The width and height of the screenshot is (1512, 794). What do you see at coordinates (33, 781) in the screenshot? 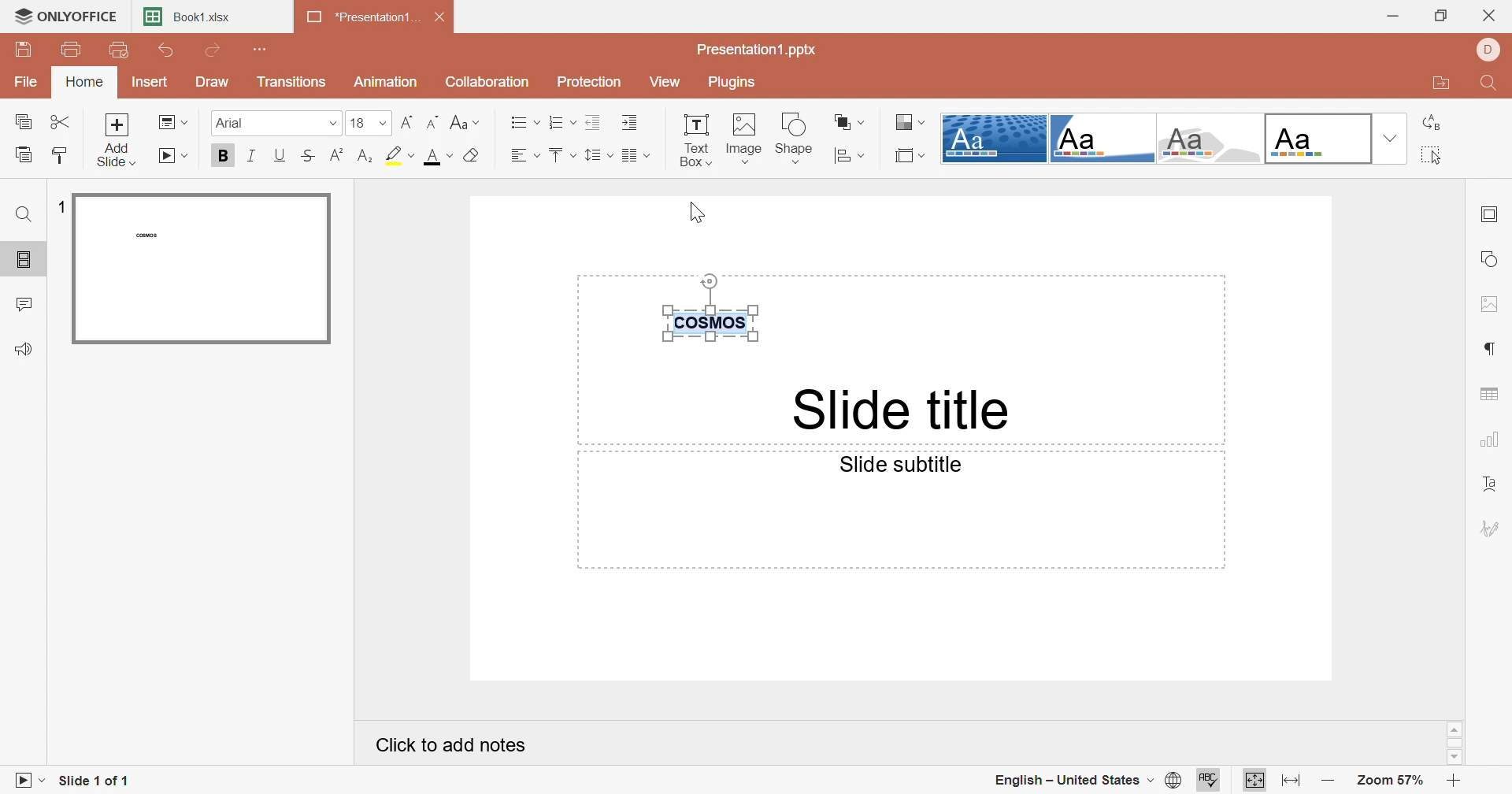
I see `Start Slideshow` at bounding box center [33, 781].